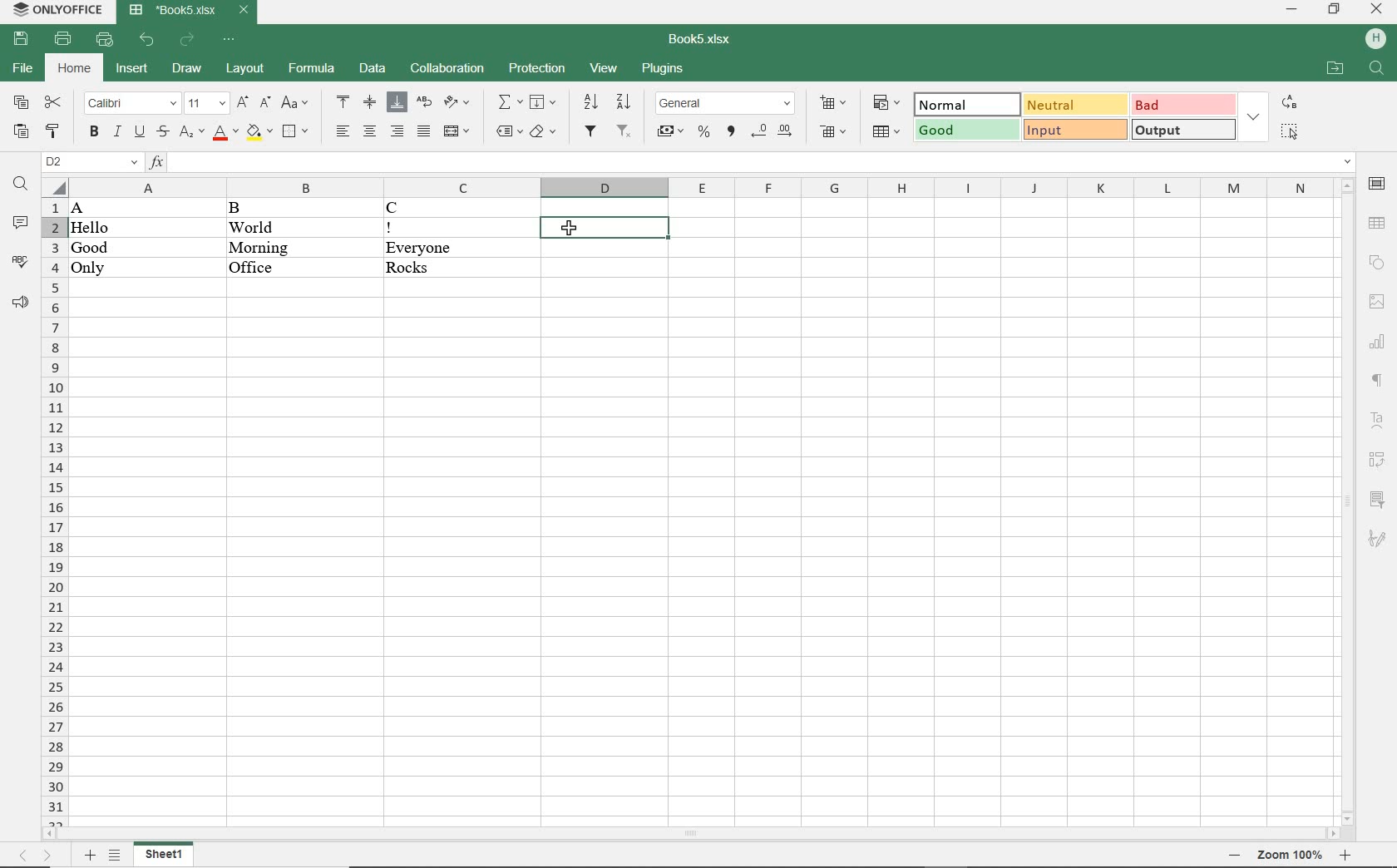 This screenshot has height=868, width=1397. Describe the element at coordinates (206, 103) in the screenshot. I see `FONT SIZE` at that location.